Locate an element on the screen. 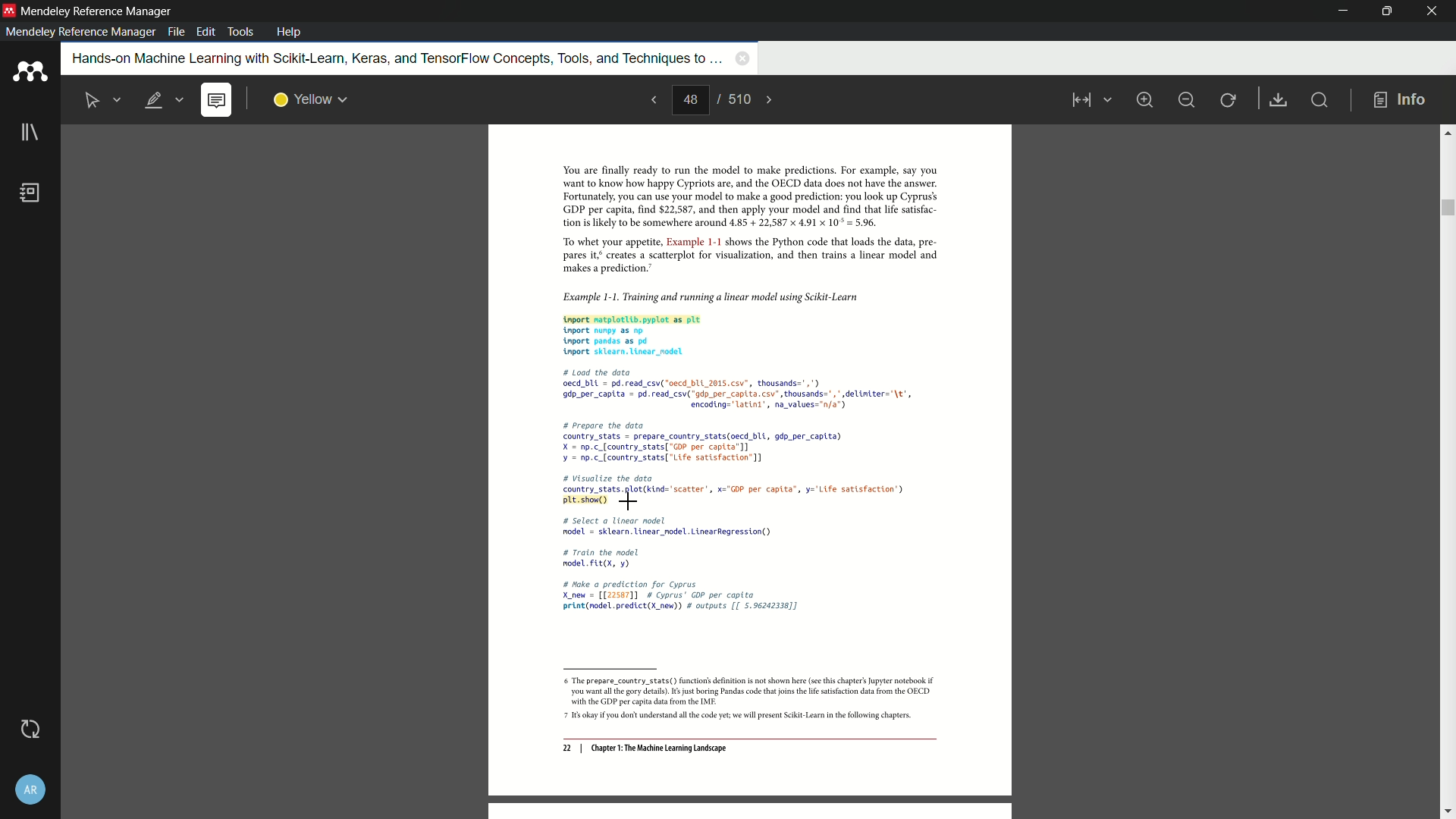 Image resolution: width=1456 pixels, height=819 pixels. You are finally ready to run the model to make predictions. For example, say you
want to know how happy Cypriots are, and the OECD data does not have the answer.
Fortunately, you can use your model to make a good prediction: you look up Cyprus’
GDP per capita, find $22,587, and then apply your model and find that life satsfac-
tion is likely to be somewhere around 4.85 + 22,587 x 4.91 x 10° = 5.96.

“To whet your appetite, Example 1-1 shows the Python code that loads the data, pre
pares it creates a scatterplot for visualization, and then trains a linear model and
‘makes a prediction.” is located at coordinates (741, 220).